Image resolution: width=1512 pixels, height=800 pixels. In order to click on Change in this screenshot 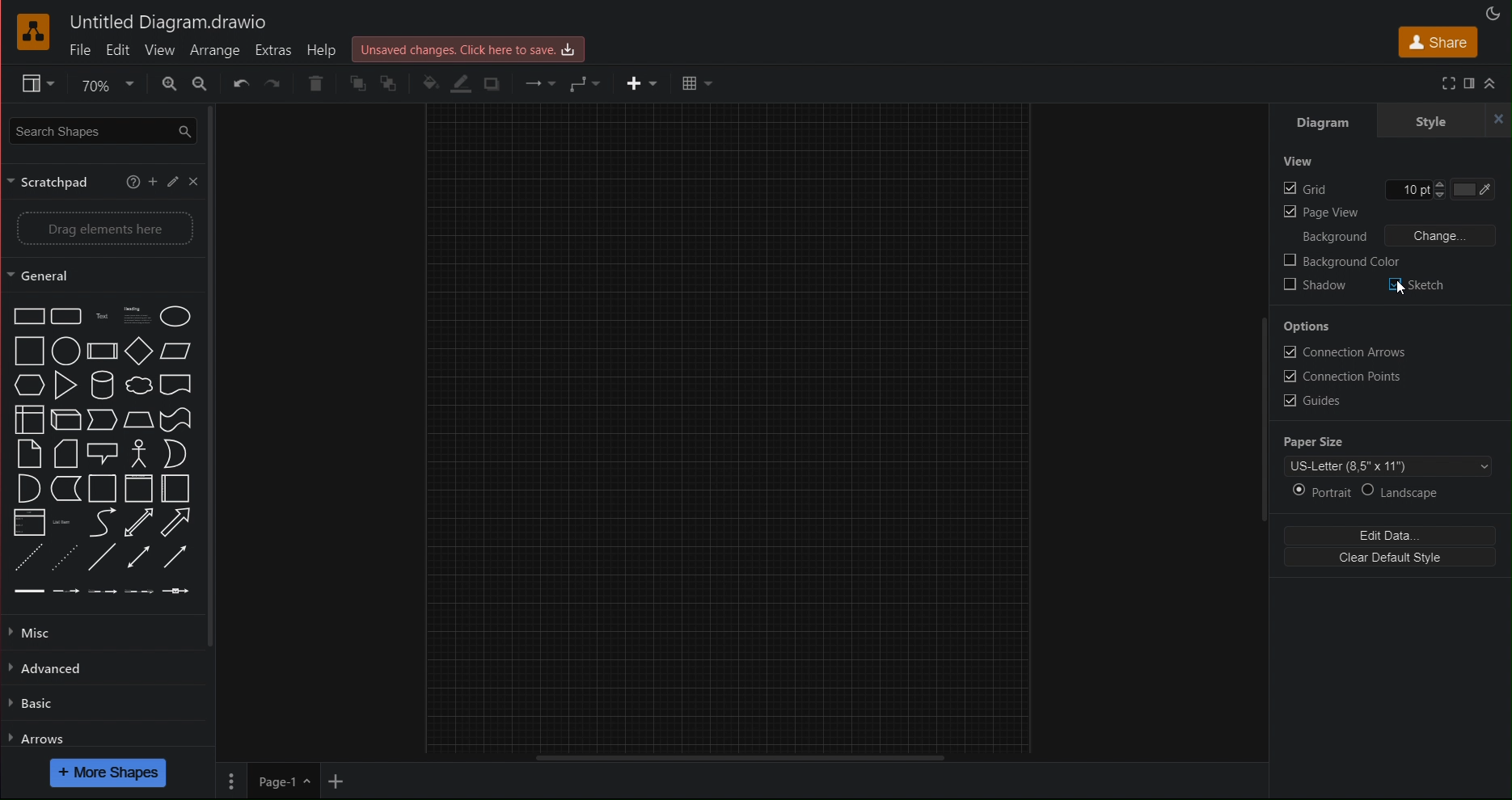, I will do `click(1448, 234)`.